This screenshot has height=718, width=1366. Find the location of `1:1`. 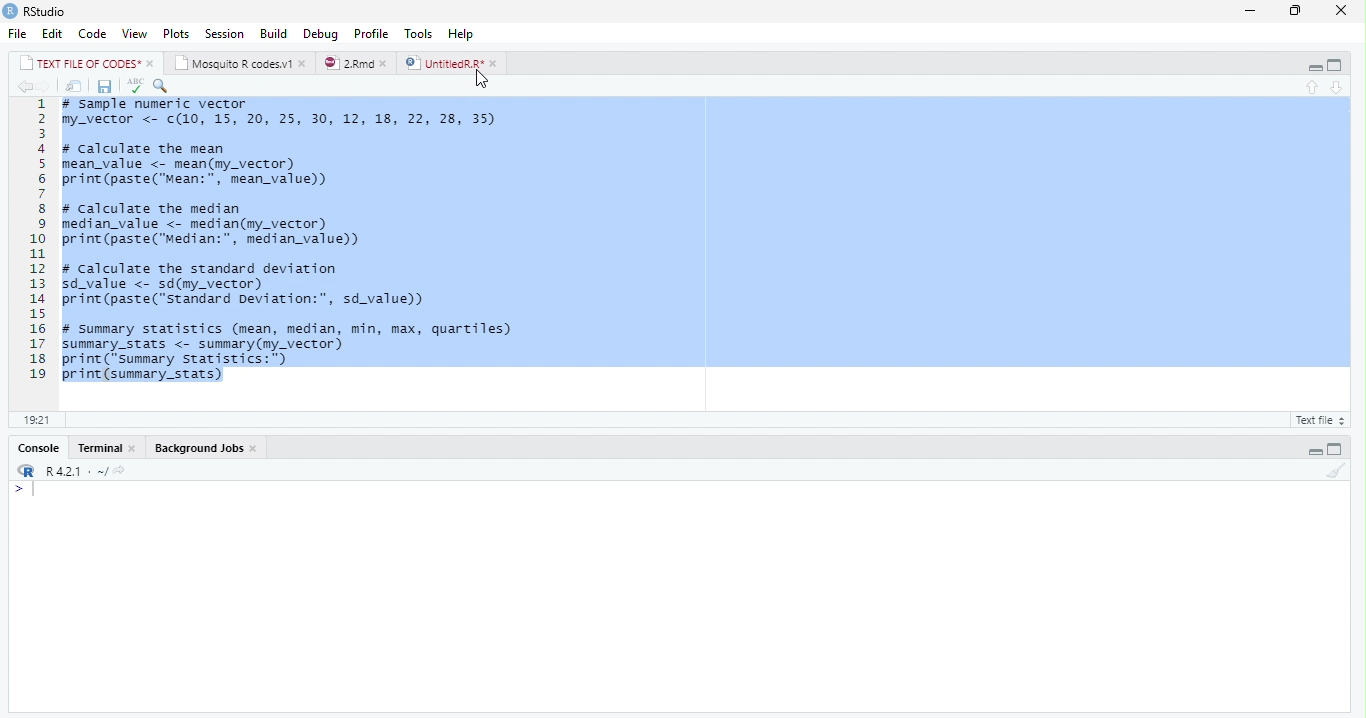

1:1 is located at coordinates (35, 420).